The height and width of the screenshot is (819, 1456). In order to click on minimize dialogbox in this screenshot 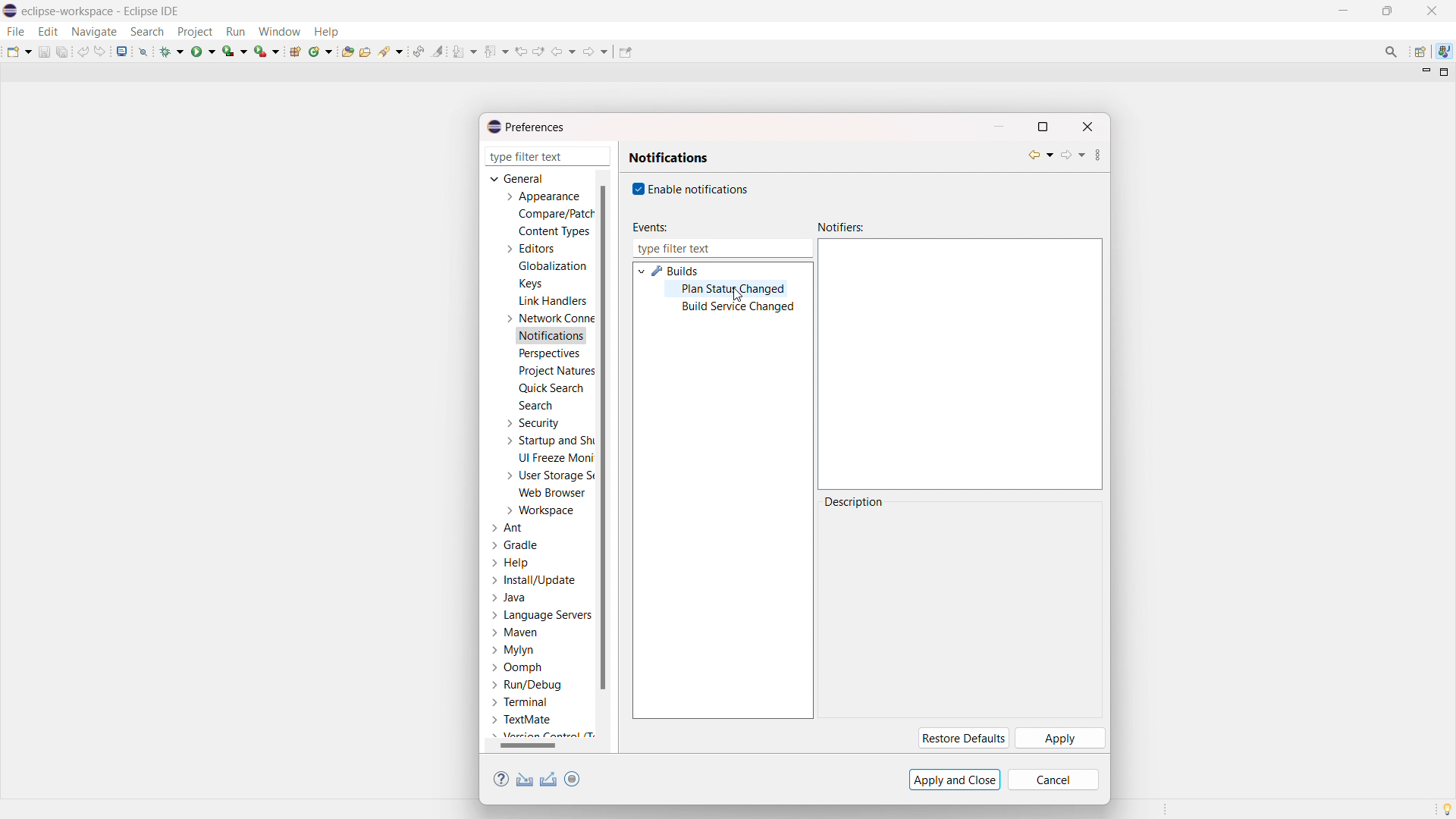, I will do `click(998, 127)`.